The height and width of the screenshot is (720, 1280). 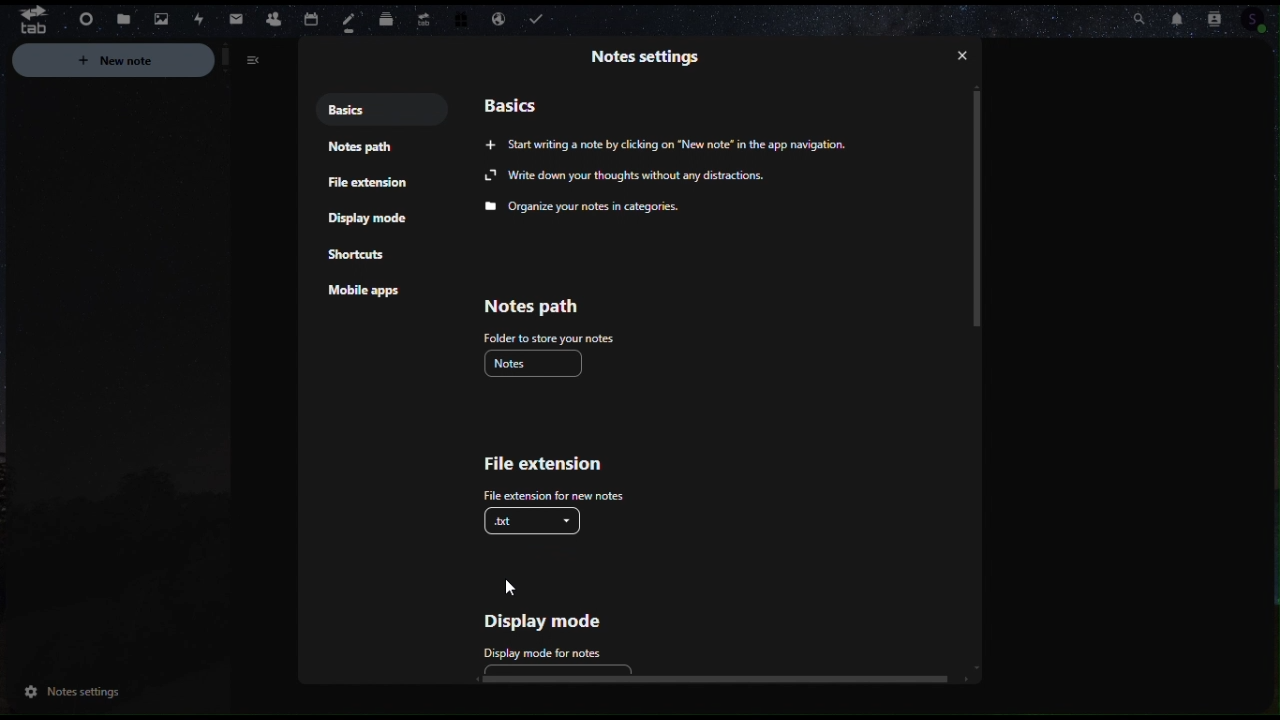 What do you see at coordinates (370, 294) in the screenshot?
I see `Mobile apps` at bounding box center [370, 294].